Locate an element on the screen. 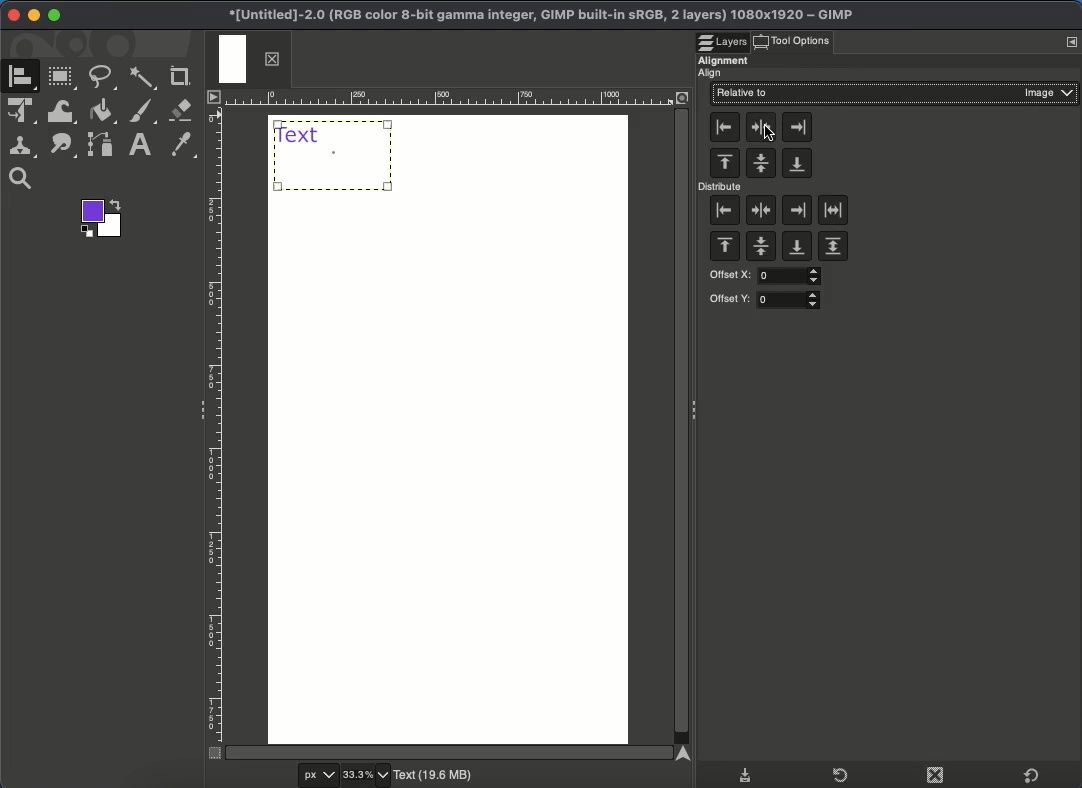  Minimize is located at coordinates (34, 16).